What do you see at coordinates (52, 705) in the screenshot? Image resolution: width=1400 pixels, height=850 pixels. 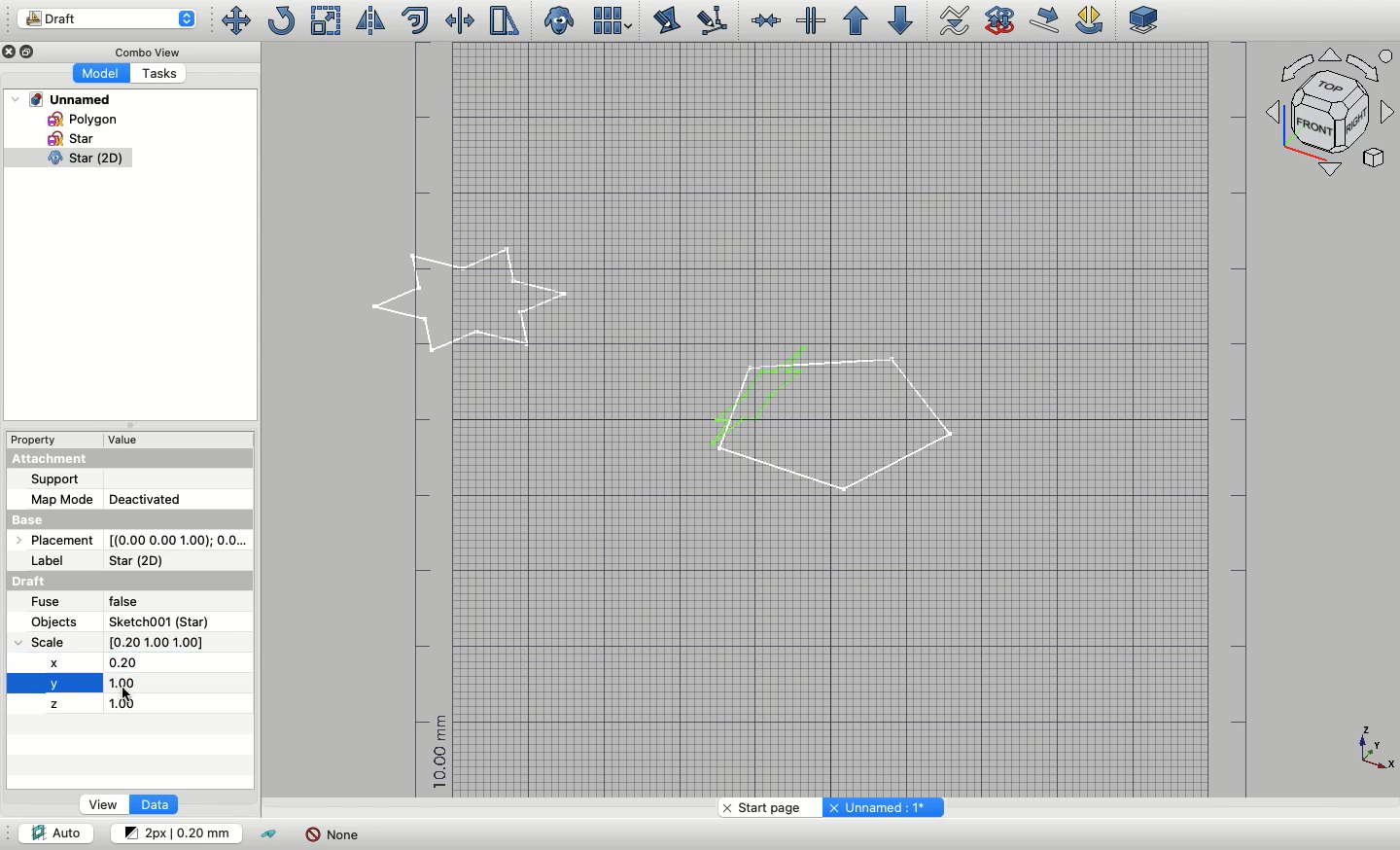 I see `Z` at bounding box center [52, 705].